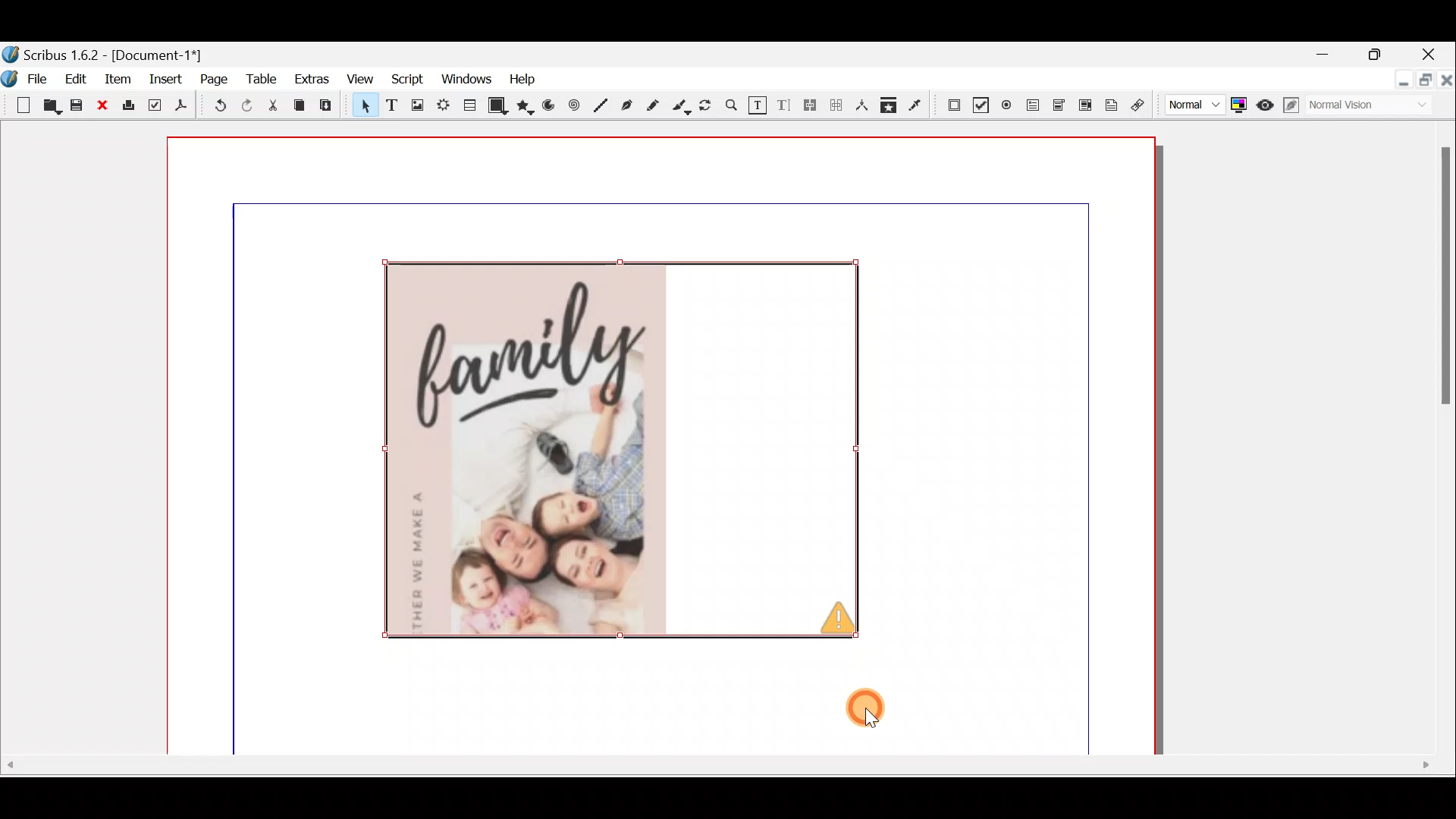  Describe the element at coordinates (179, 108) in the screenshot. I see `Save as PDF` at that location.